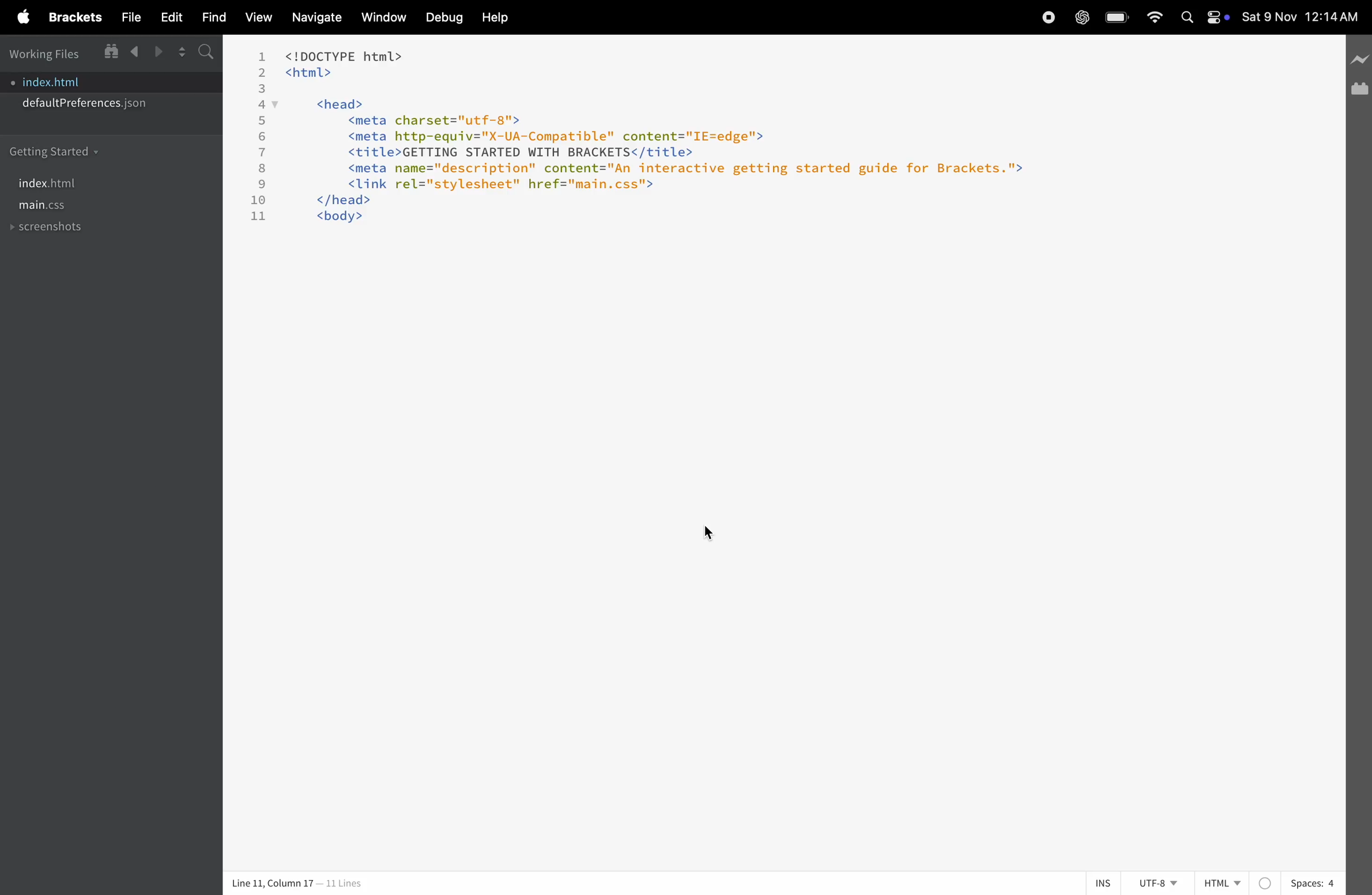  I want to click on window, so click(112, 52).